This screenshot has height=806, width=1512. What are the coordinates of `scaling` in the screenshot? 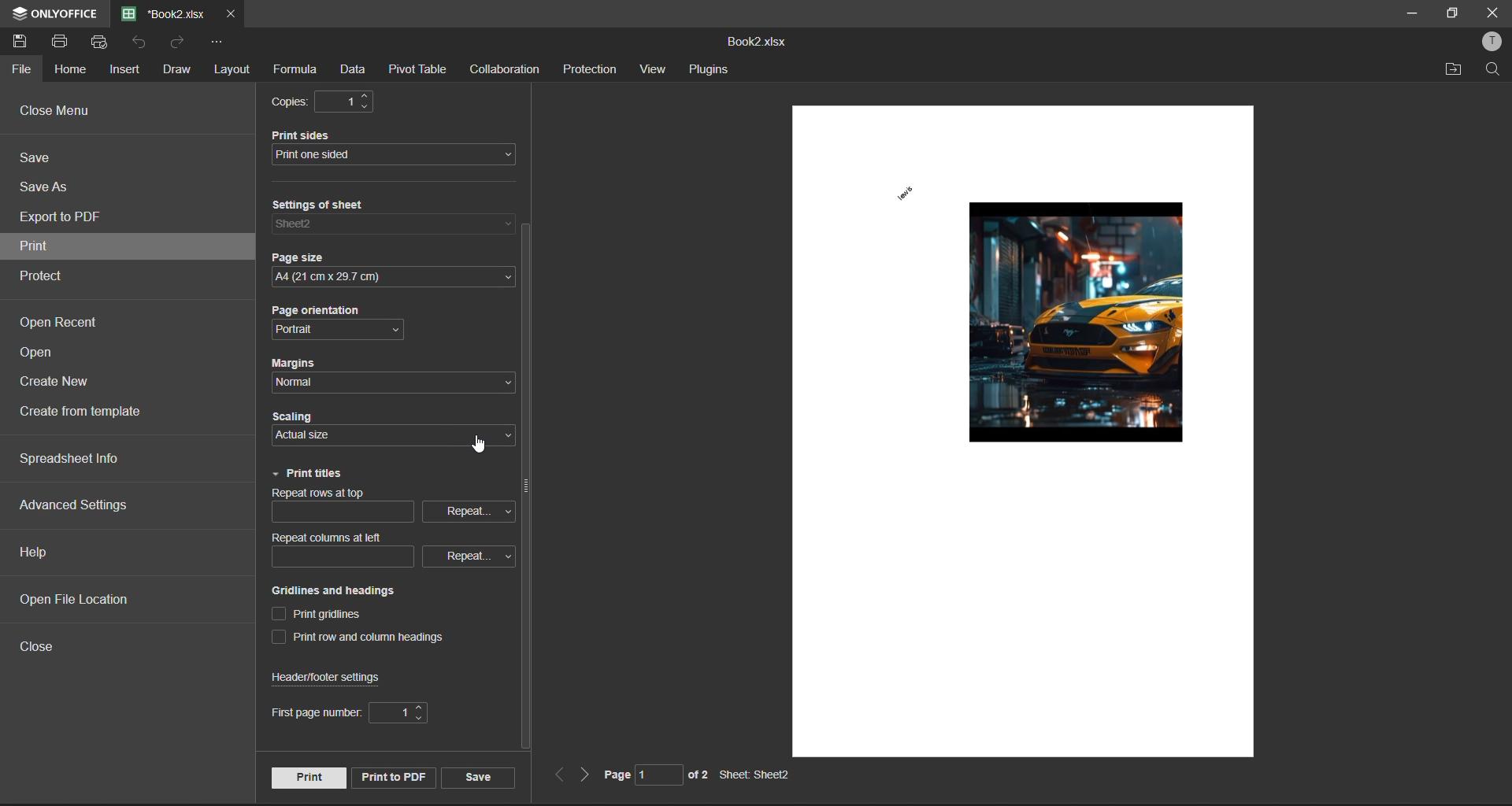 It's located at (327, 419).